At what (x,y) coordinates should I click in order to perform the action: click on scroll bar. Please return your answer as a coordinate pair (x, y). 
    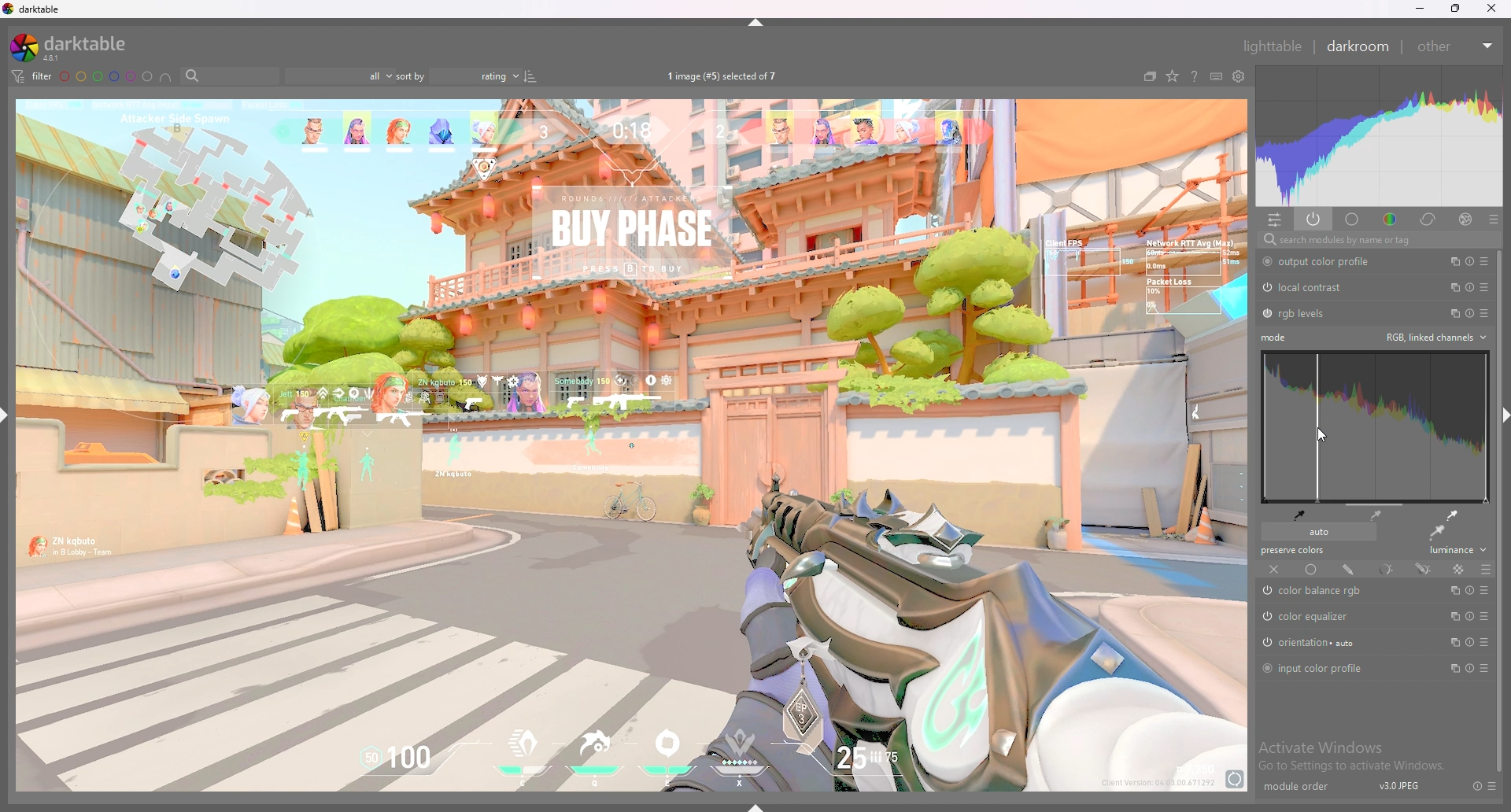
    Looking at the image, I should click on (1499, 513).